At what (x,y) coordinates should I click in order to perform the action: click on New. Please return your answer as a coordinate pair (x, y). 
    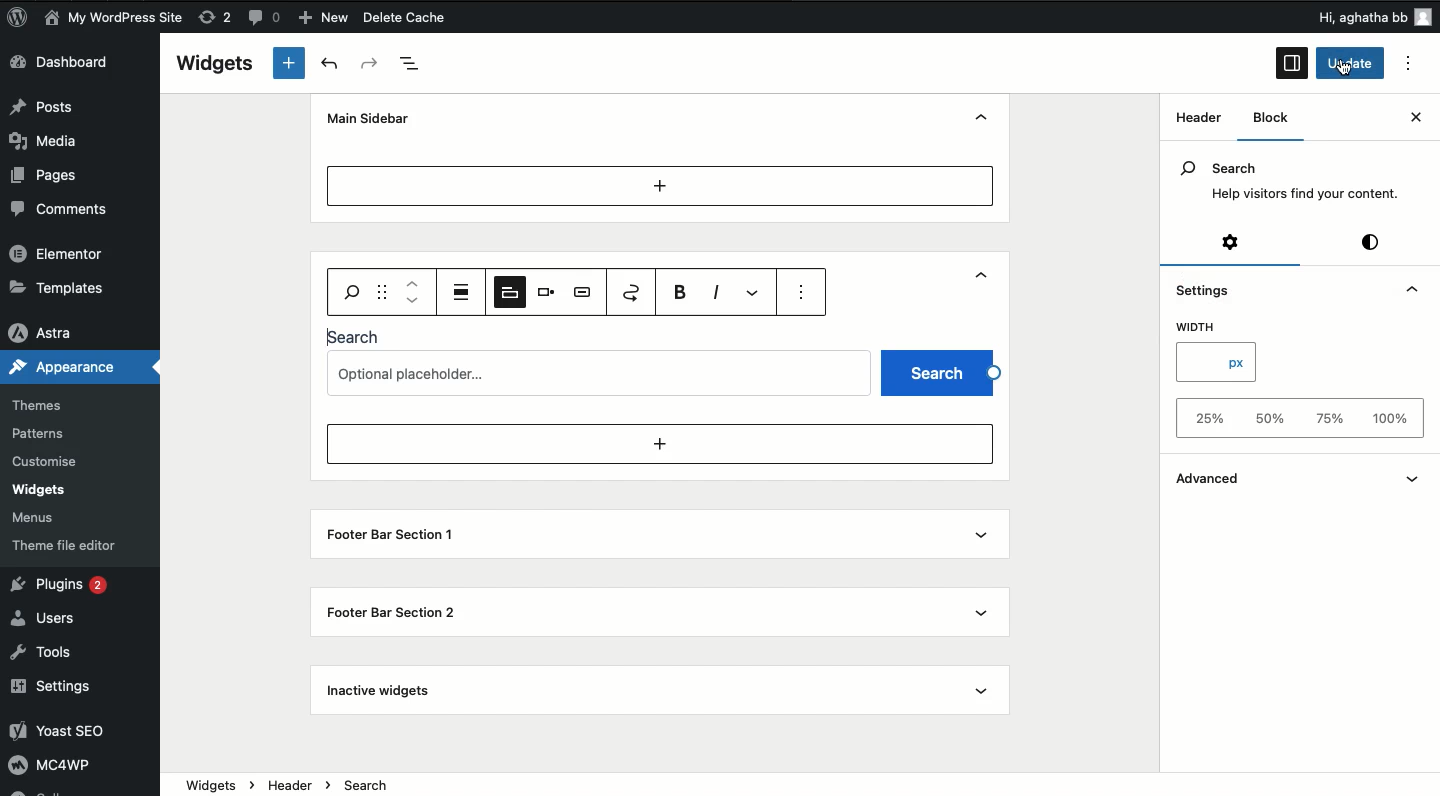
    Looking at the image, I should click on (326, 18).